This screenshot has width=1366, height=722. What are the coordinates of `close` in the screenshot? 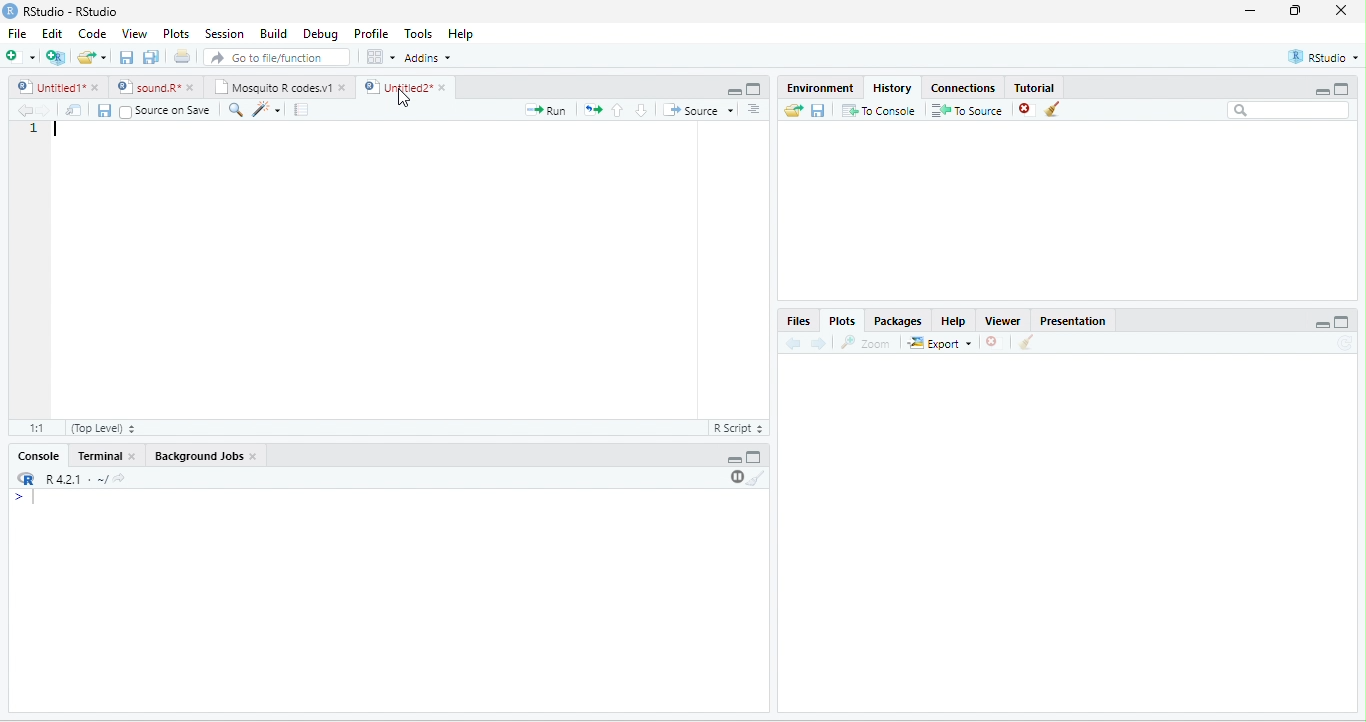 It's located at (192, 88).